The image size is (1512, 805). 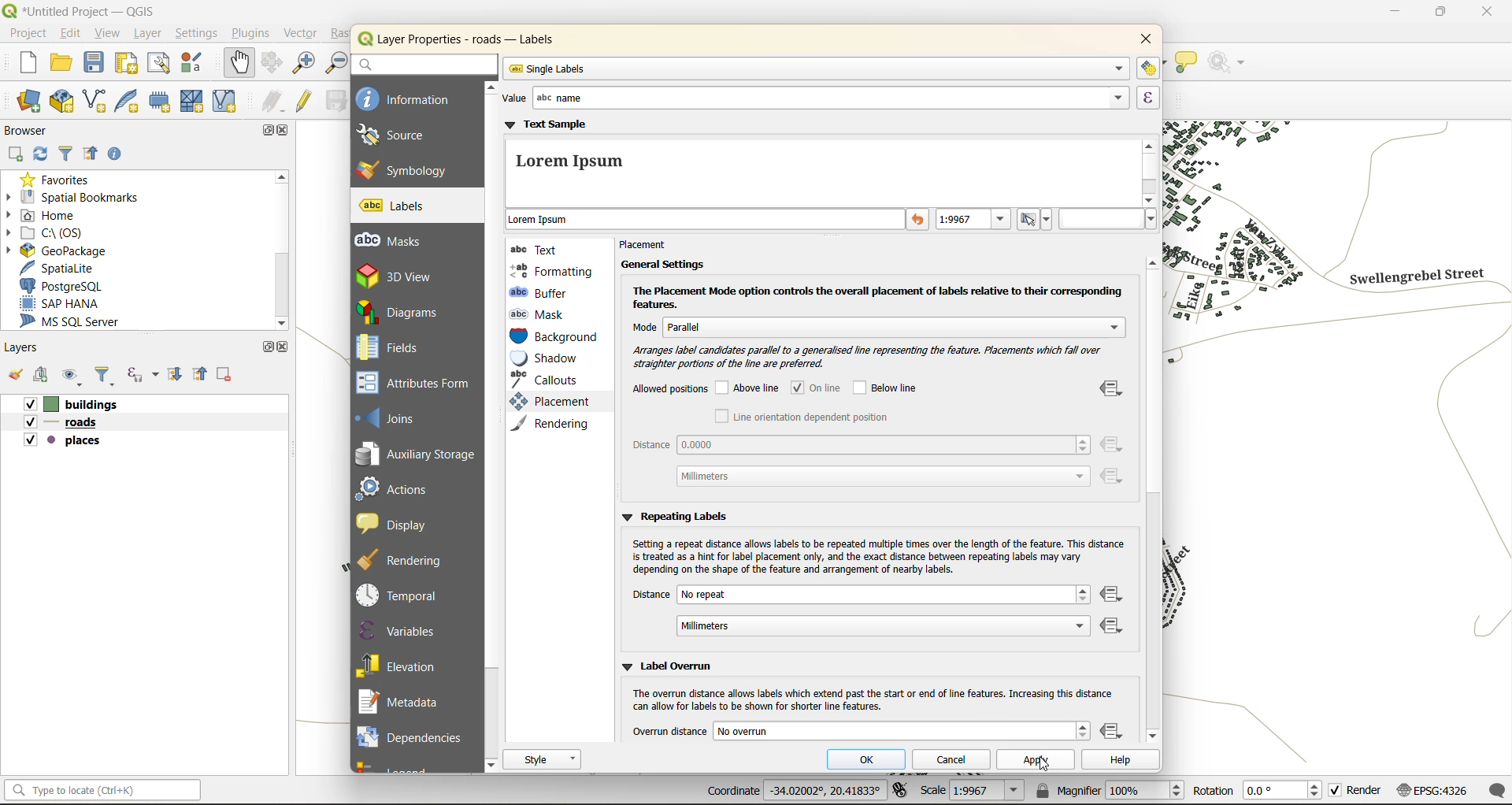 What do you see at coordinates (409, 560) in the screenshot?
I see `rendering` at bounding box center [409, 560].